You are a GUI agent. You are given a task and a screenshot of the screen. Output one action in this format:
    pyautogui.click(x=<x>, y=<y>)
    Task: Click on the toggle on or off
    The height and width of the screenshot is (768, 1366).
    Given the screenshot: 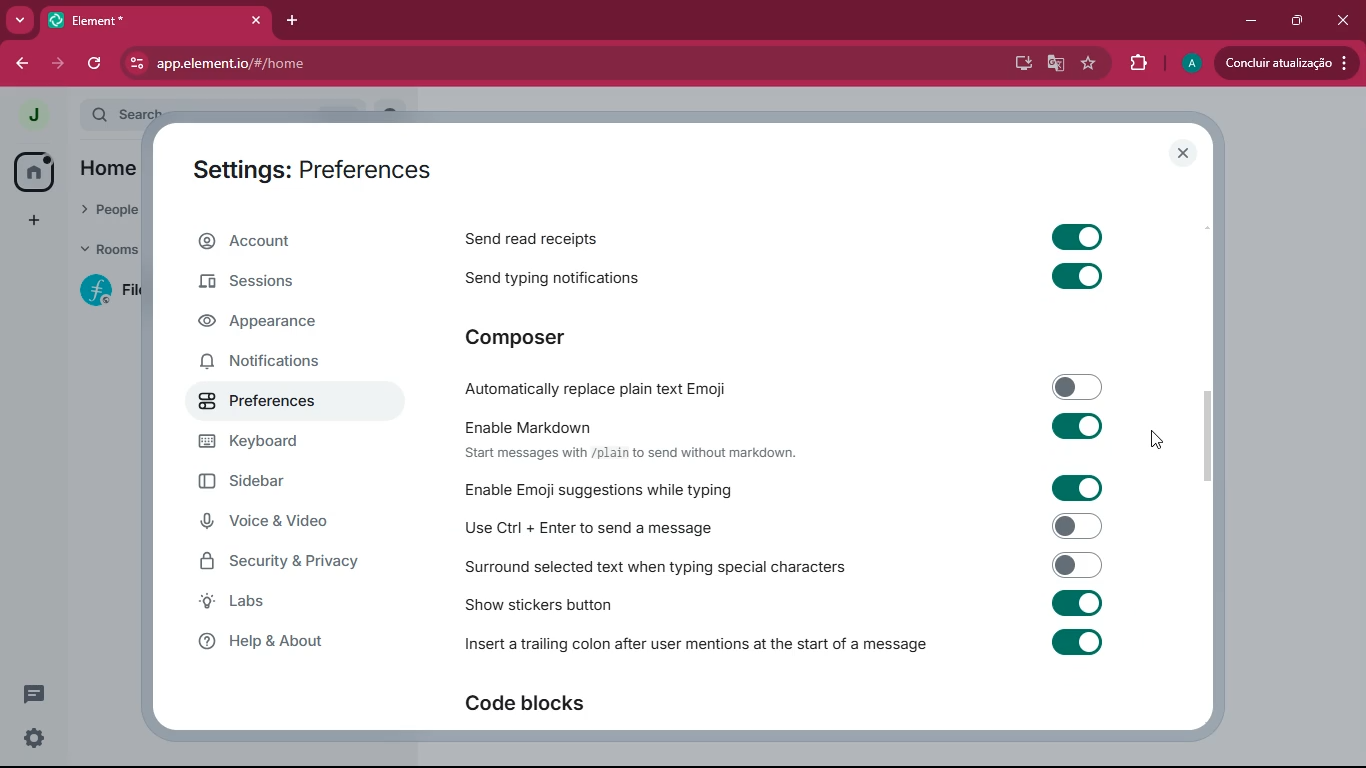 What is the action you would take?
    pyautogui.click(x=1071, y=488)
    